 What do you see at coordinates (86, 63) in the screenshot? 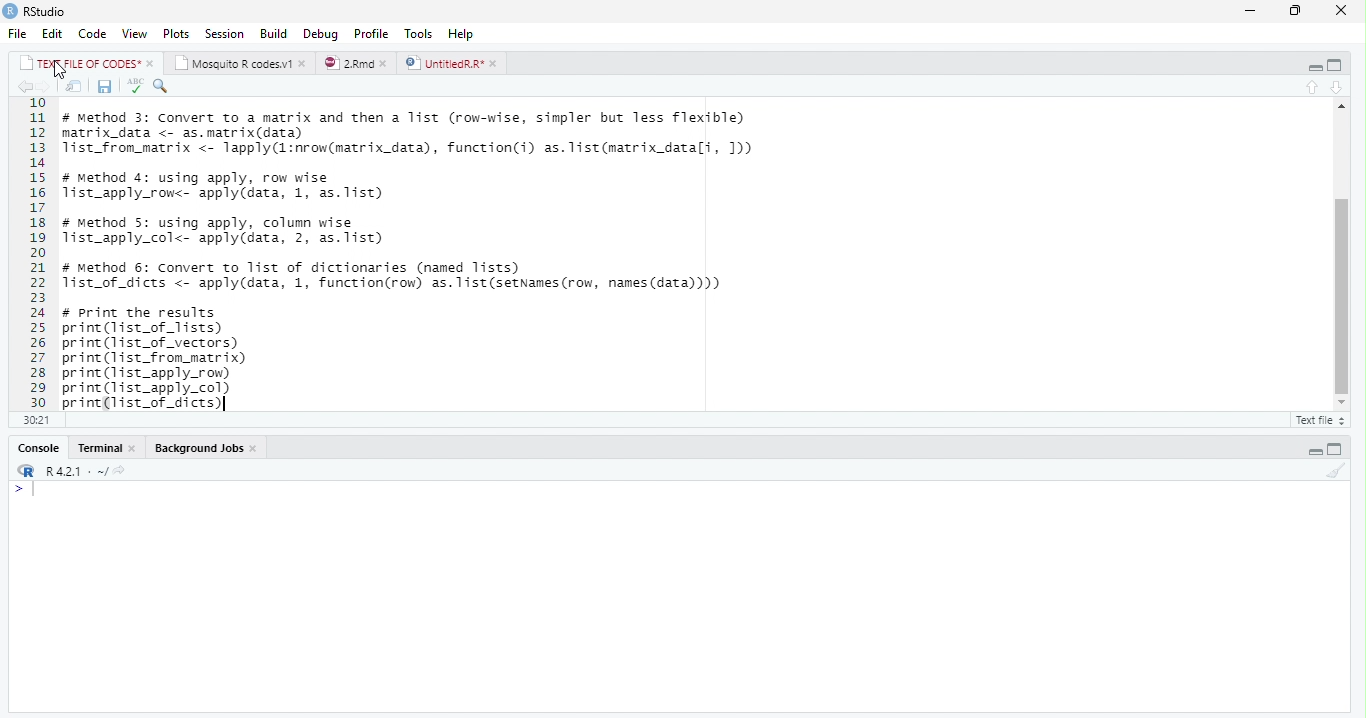
I see `TEXT FILE OF CODES*` at bounding box center [86, 63].